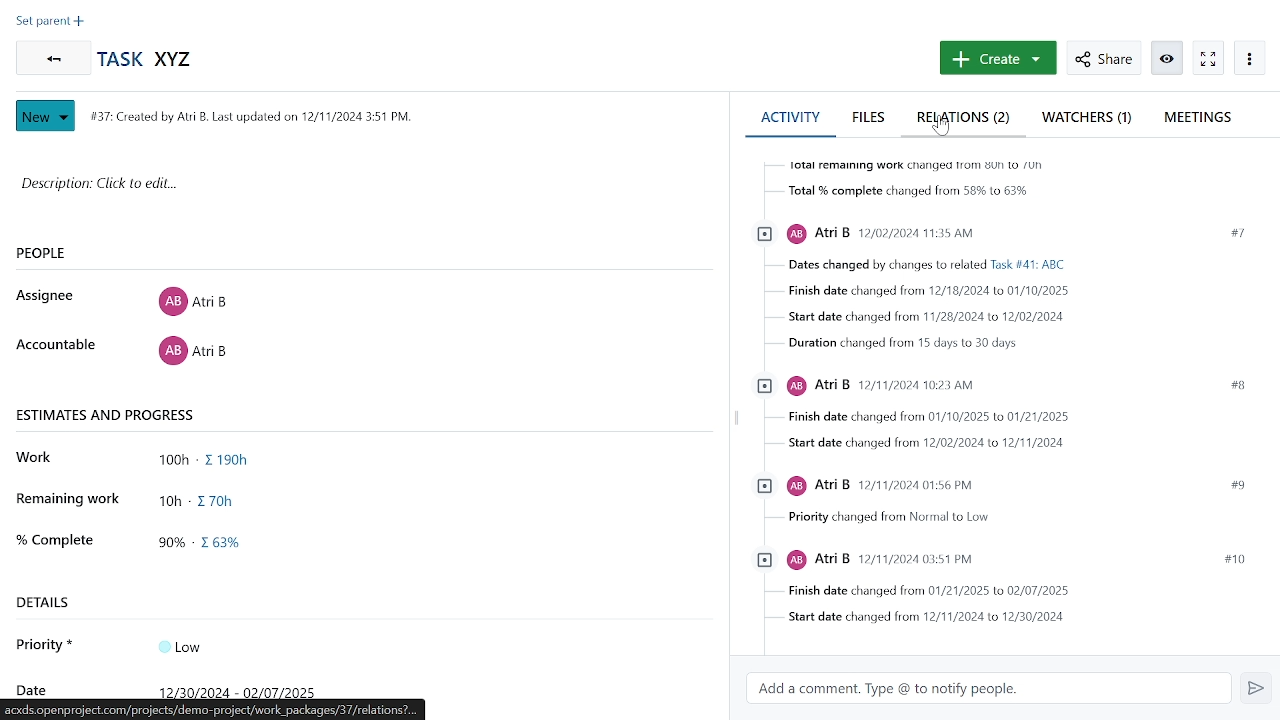 The image size is (1280, 720). What do you see at coordinates (215, 711) in the screenshot?
I see `acxds.openproject.com/projects/demo-project/work_packages/37/relations?..` at bounding box center [215, 711].